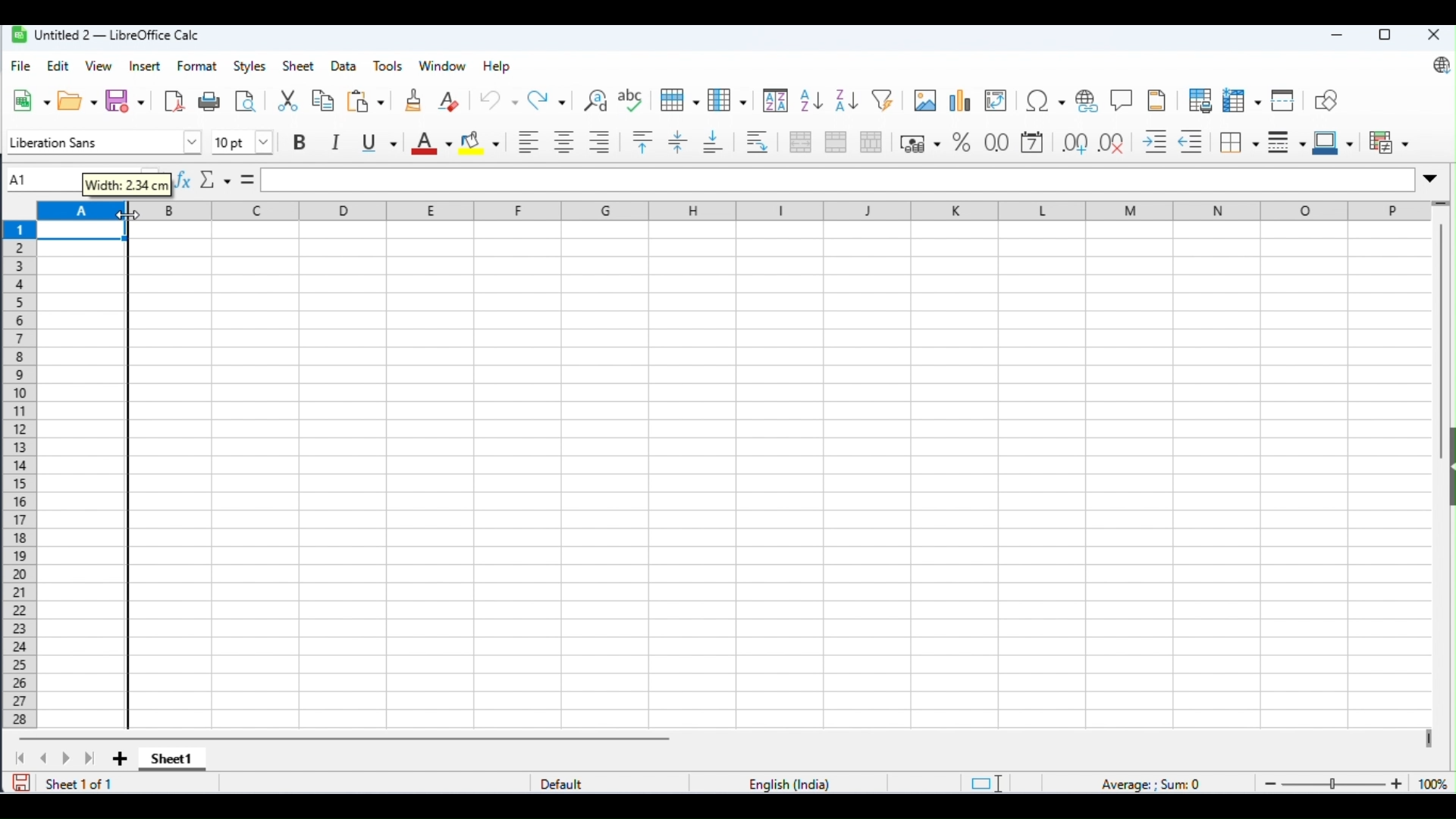  What do you see at coordinates (1442, 204) in the screenshot?
I see `drag to view more rows` at bounding box center [1442, 204].